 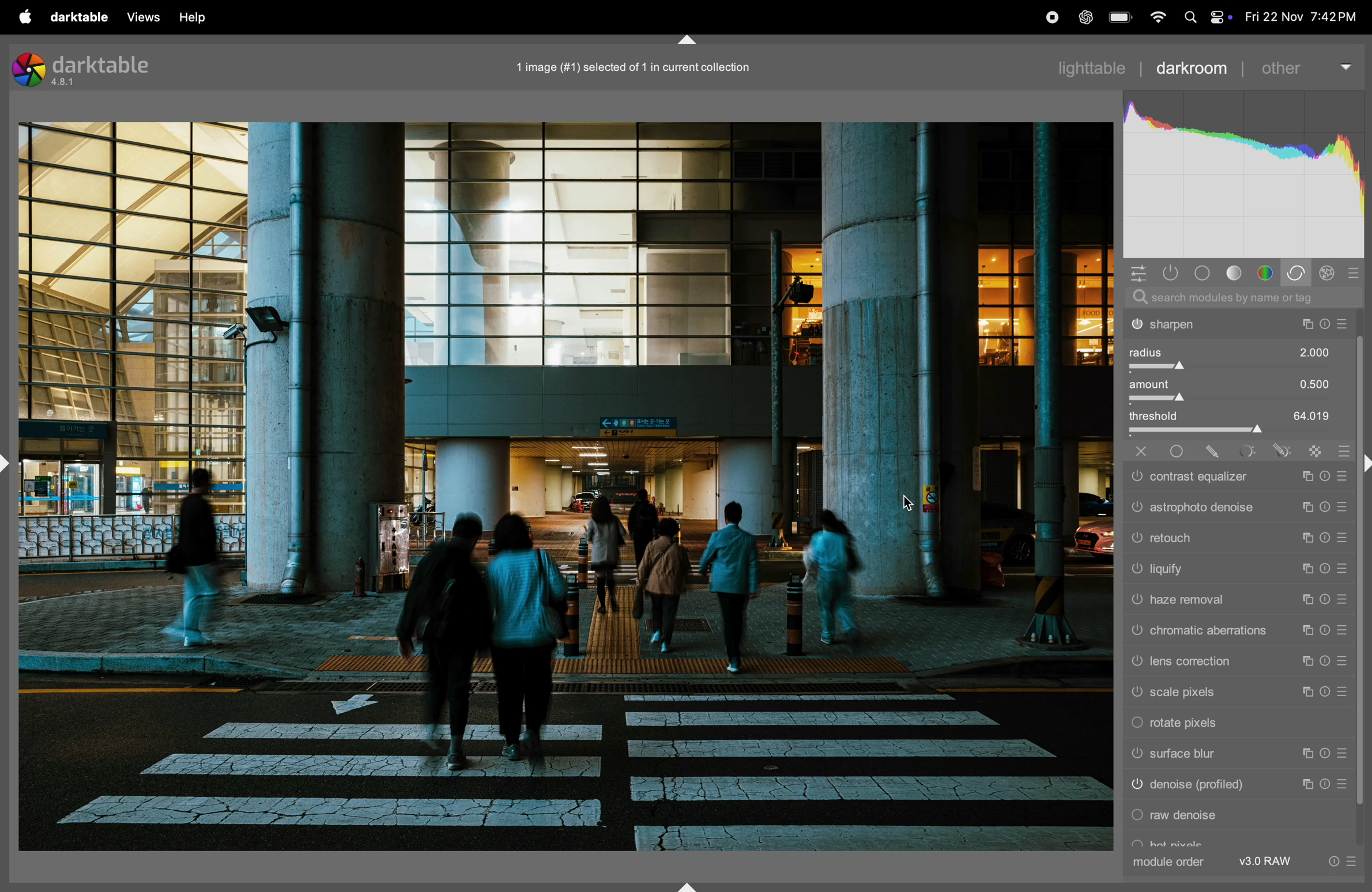 What do you see at coordinates (1190, 18) in the screenshot?
I see `spotlight search` at bounding box center [1190, 18].